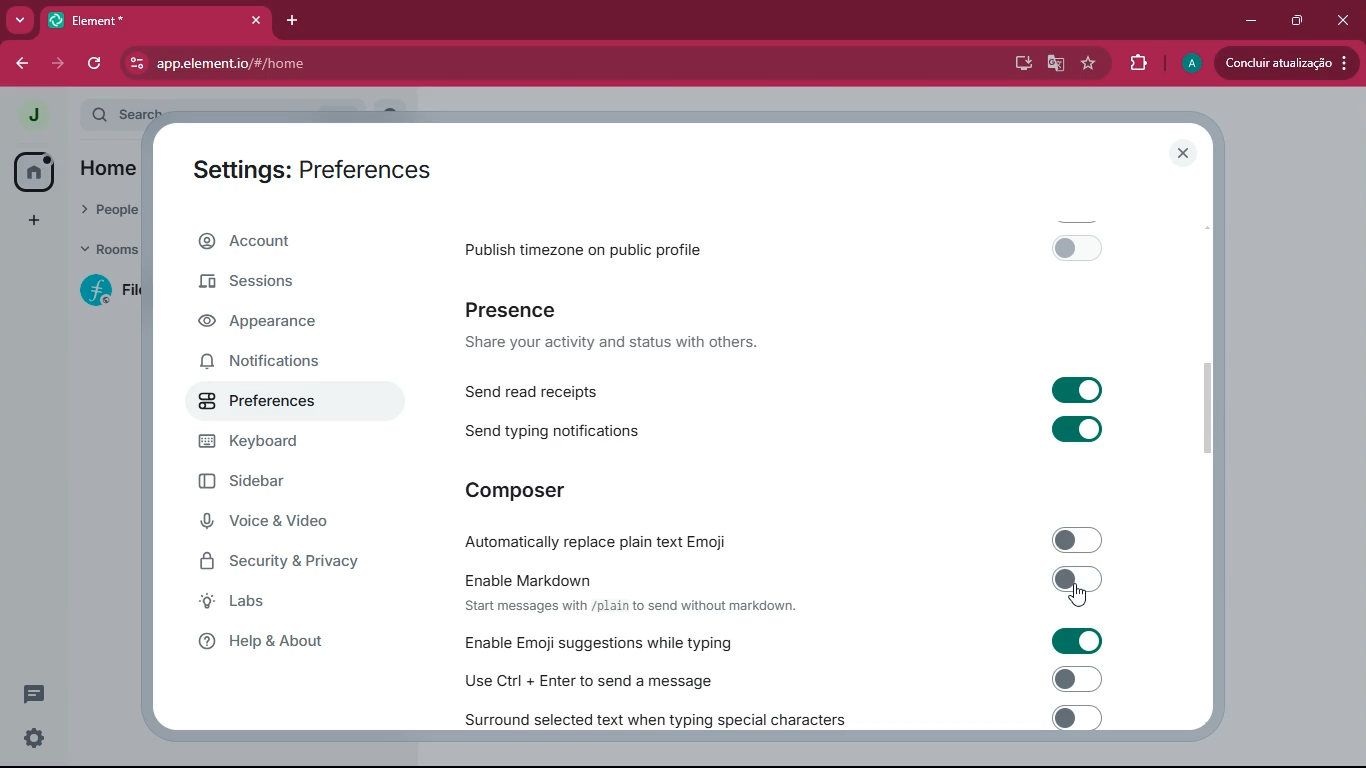 This screenshot has height=768, width=1366. Describe the element at coordinates (624, 326) in the screenshot. I see `presence Share your activity and status with others.` at that location.